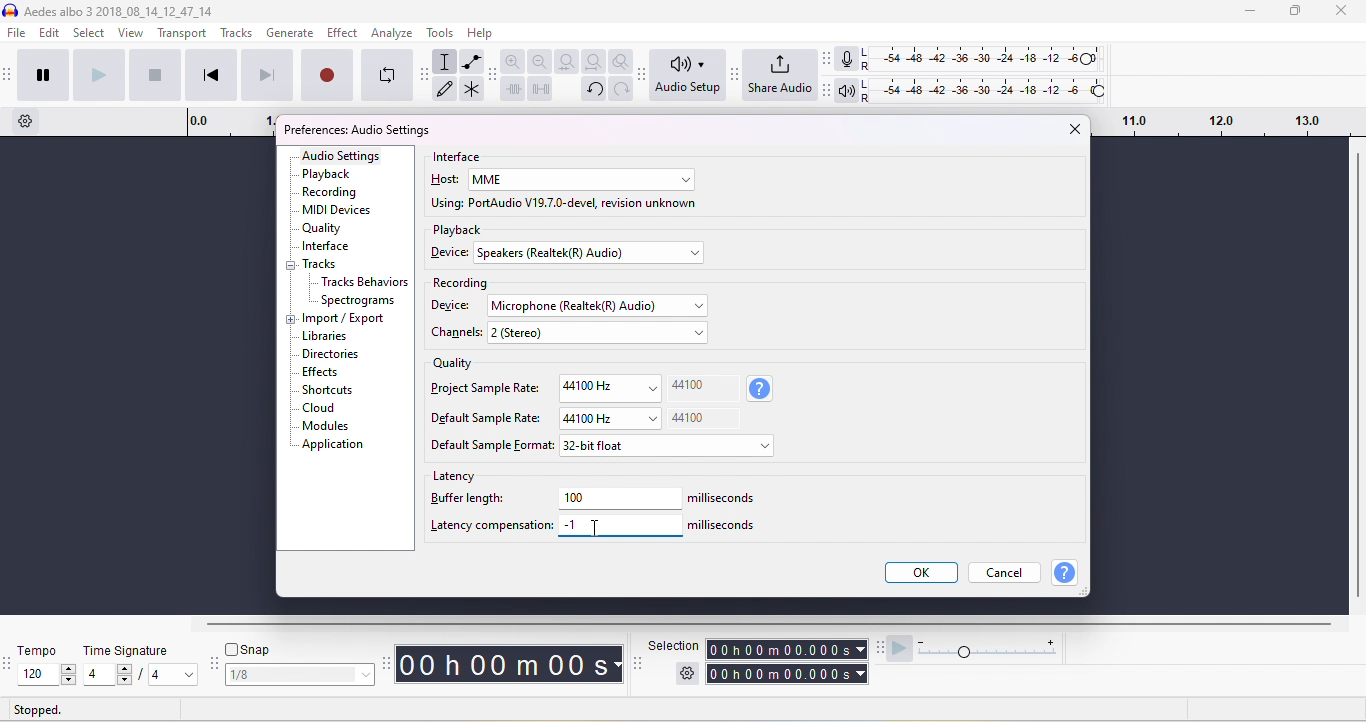 The image size is (1366, 722). Describe the element at coordinates (387, 74) in the screenshot. I see `enable looping` at that location.